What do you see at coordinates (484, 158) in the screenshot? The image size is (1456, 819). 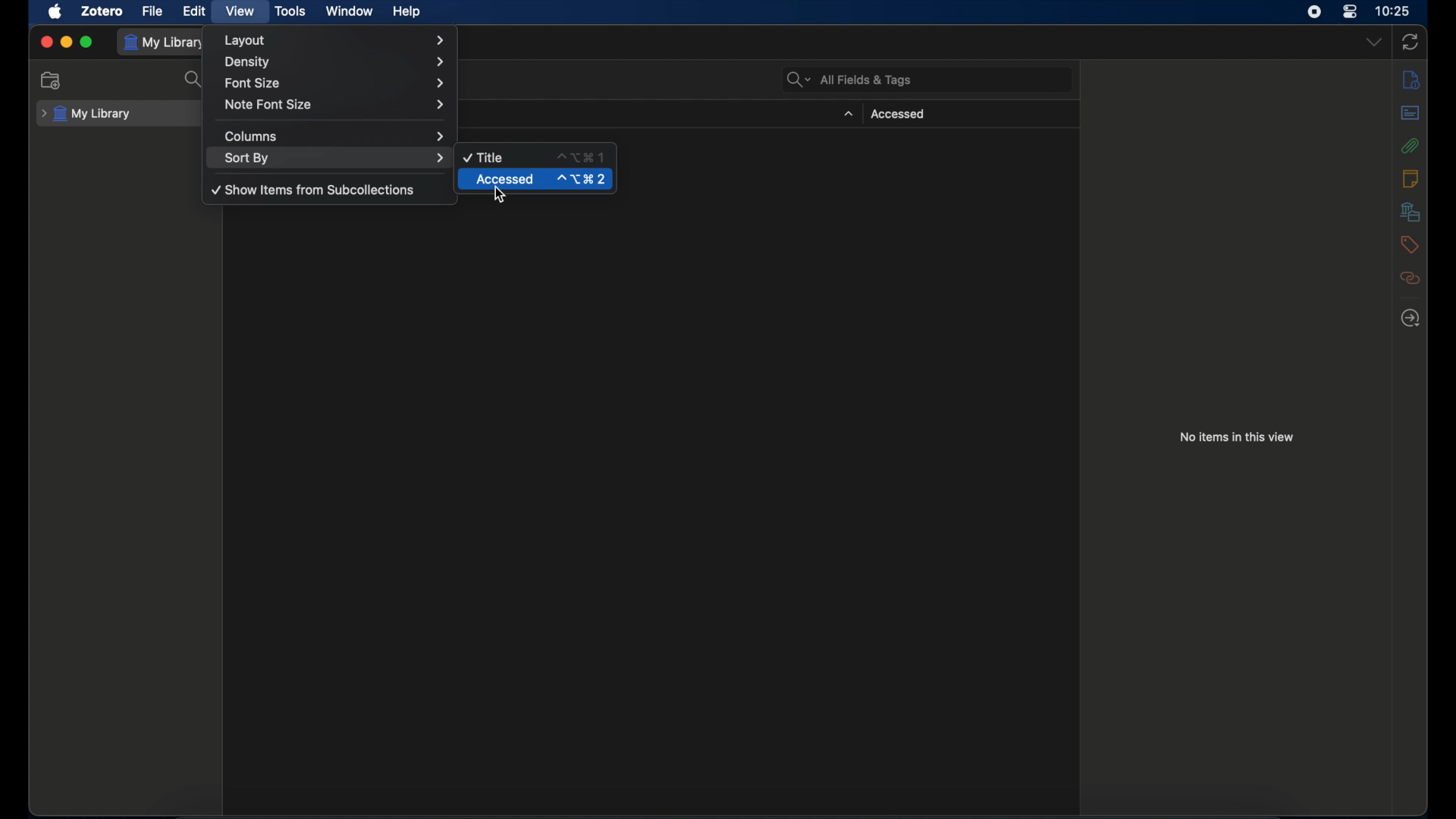 I see `title` at bounding box center [484, 158].